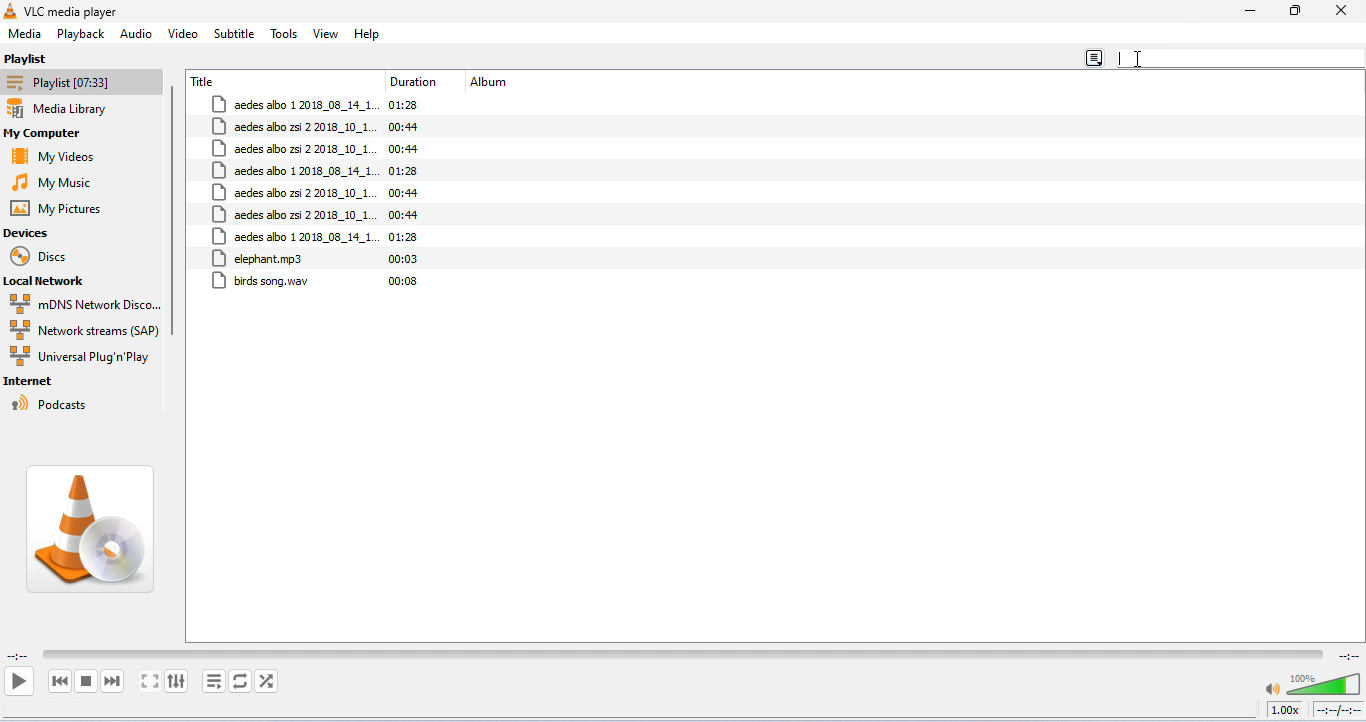 The width and height of the screenshot is (1366, 722). Describe the element at coordinates (93, 529) in the screenshot. I see `VLC media player logo` at that location.